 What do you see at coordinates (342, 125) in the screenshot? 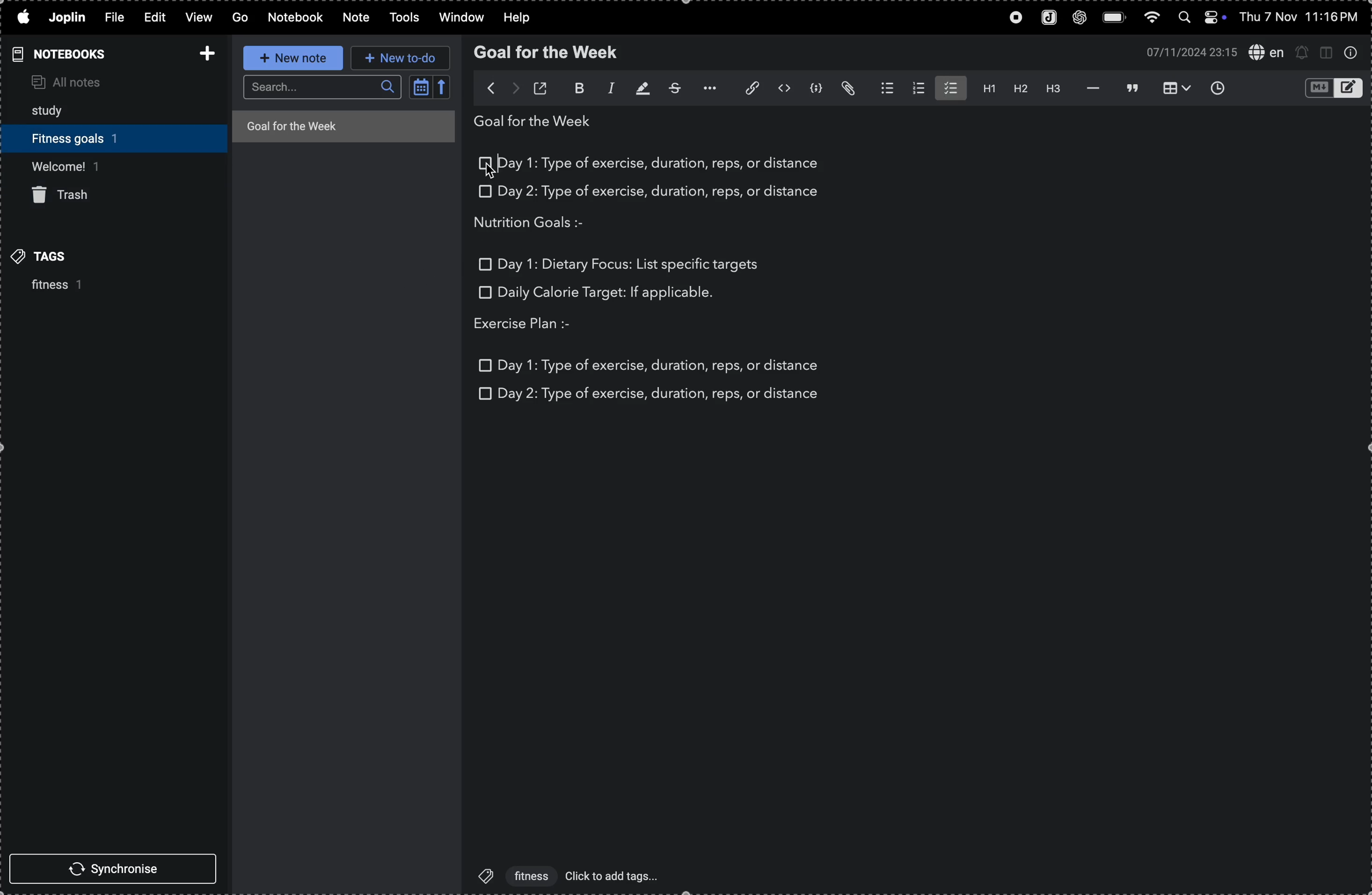
I see `goal for the week` at bounding box center [342, 125].